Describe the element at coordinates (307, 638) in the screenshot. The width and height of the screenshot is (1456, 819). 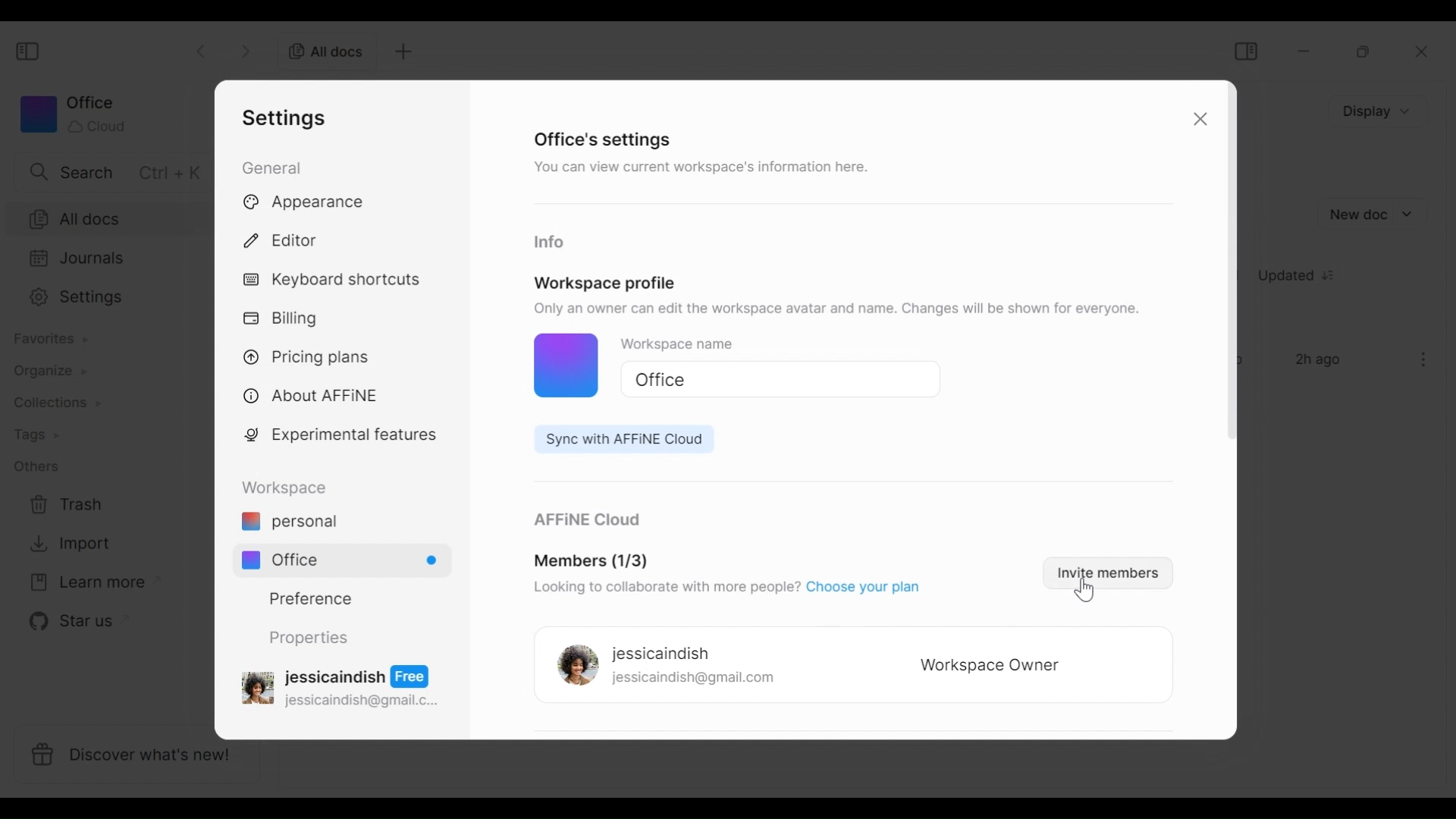
I see `Properties` at that location.